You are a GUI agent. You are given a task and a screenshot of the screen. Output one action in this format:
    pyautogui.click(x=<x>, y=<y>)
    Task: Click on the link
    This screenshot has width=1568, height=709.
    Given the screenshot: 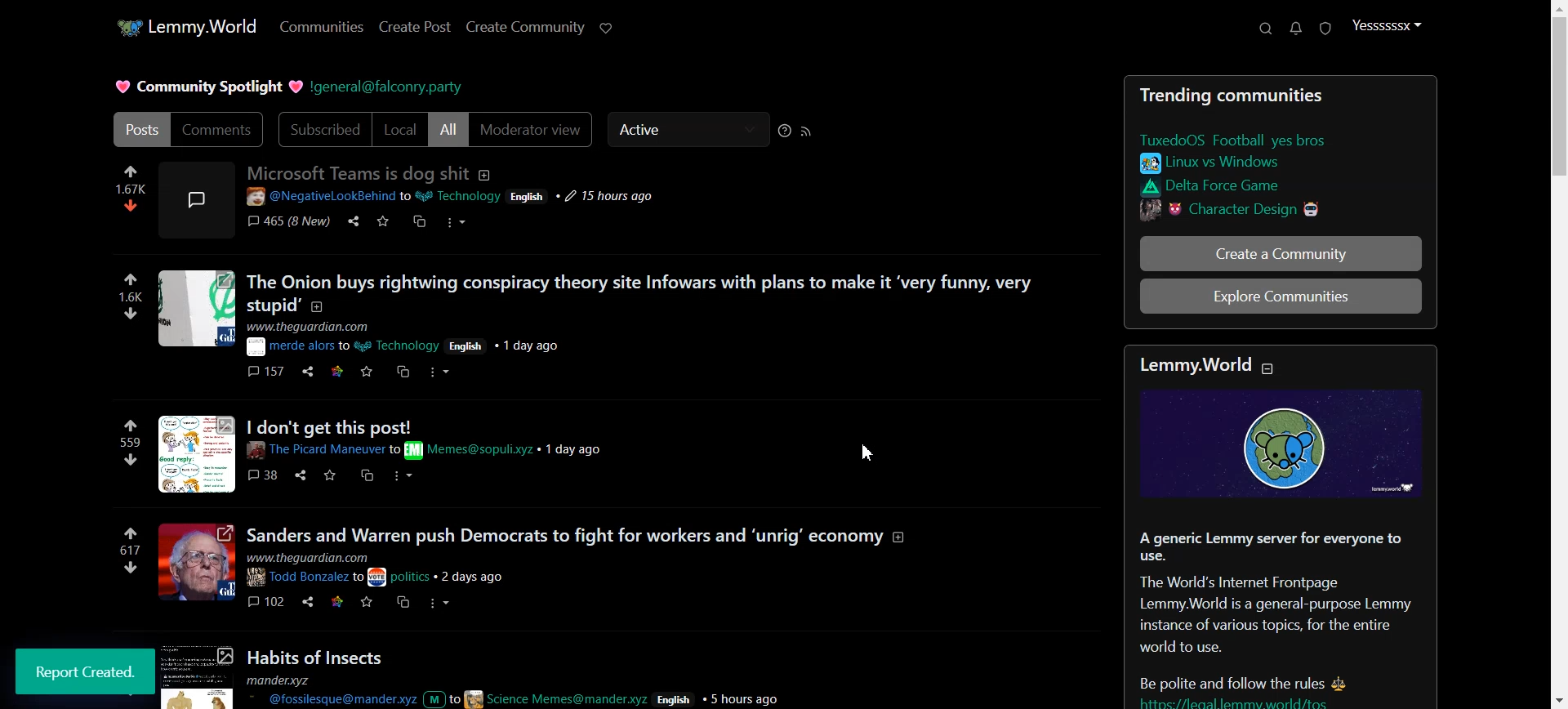 What is the action you would take?
    pyautogui.click(x=131, y=534)
    